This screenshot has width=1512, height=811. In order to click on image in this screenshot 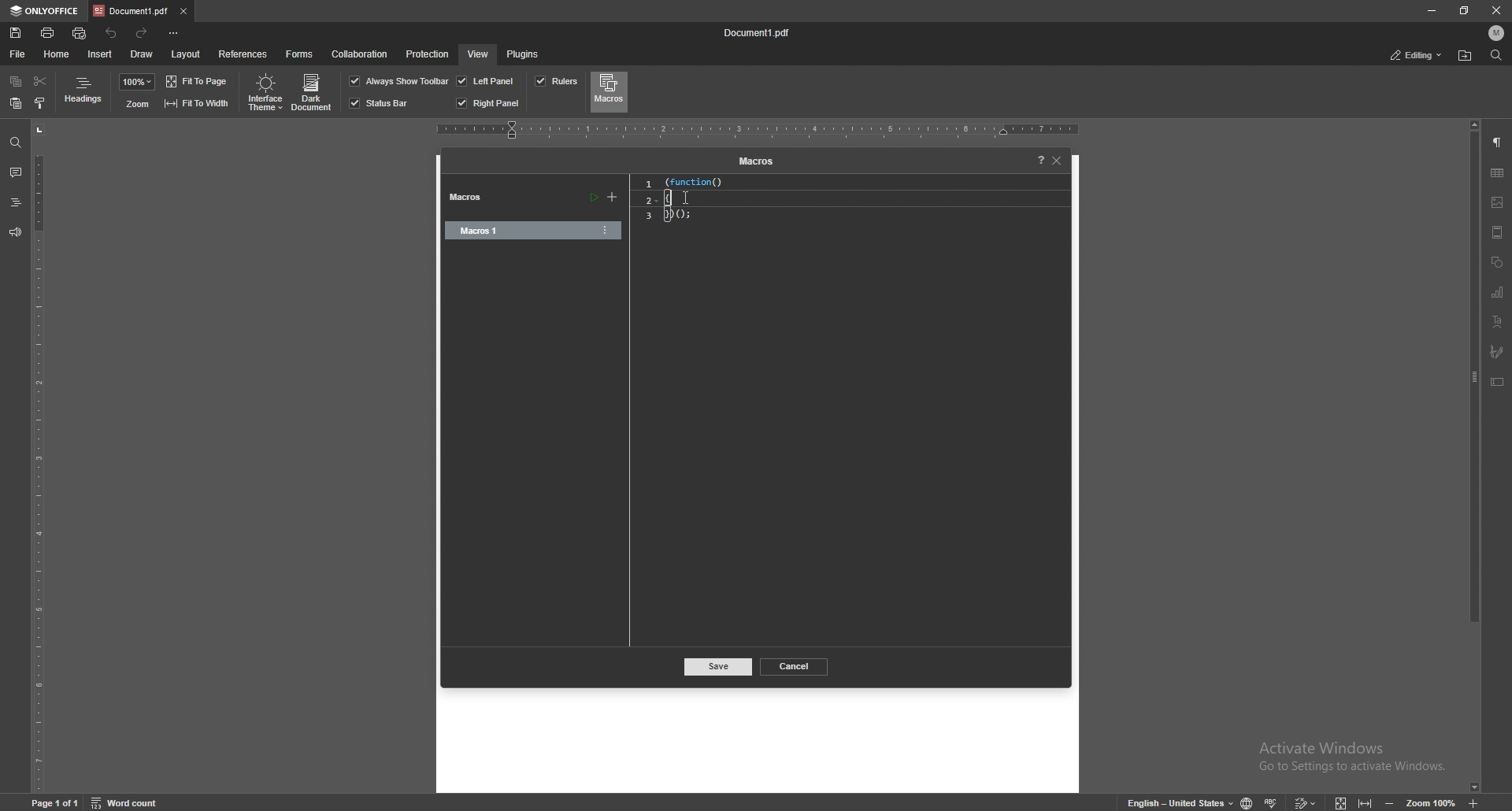, I will do `click(1498, 202)`.